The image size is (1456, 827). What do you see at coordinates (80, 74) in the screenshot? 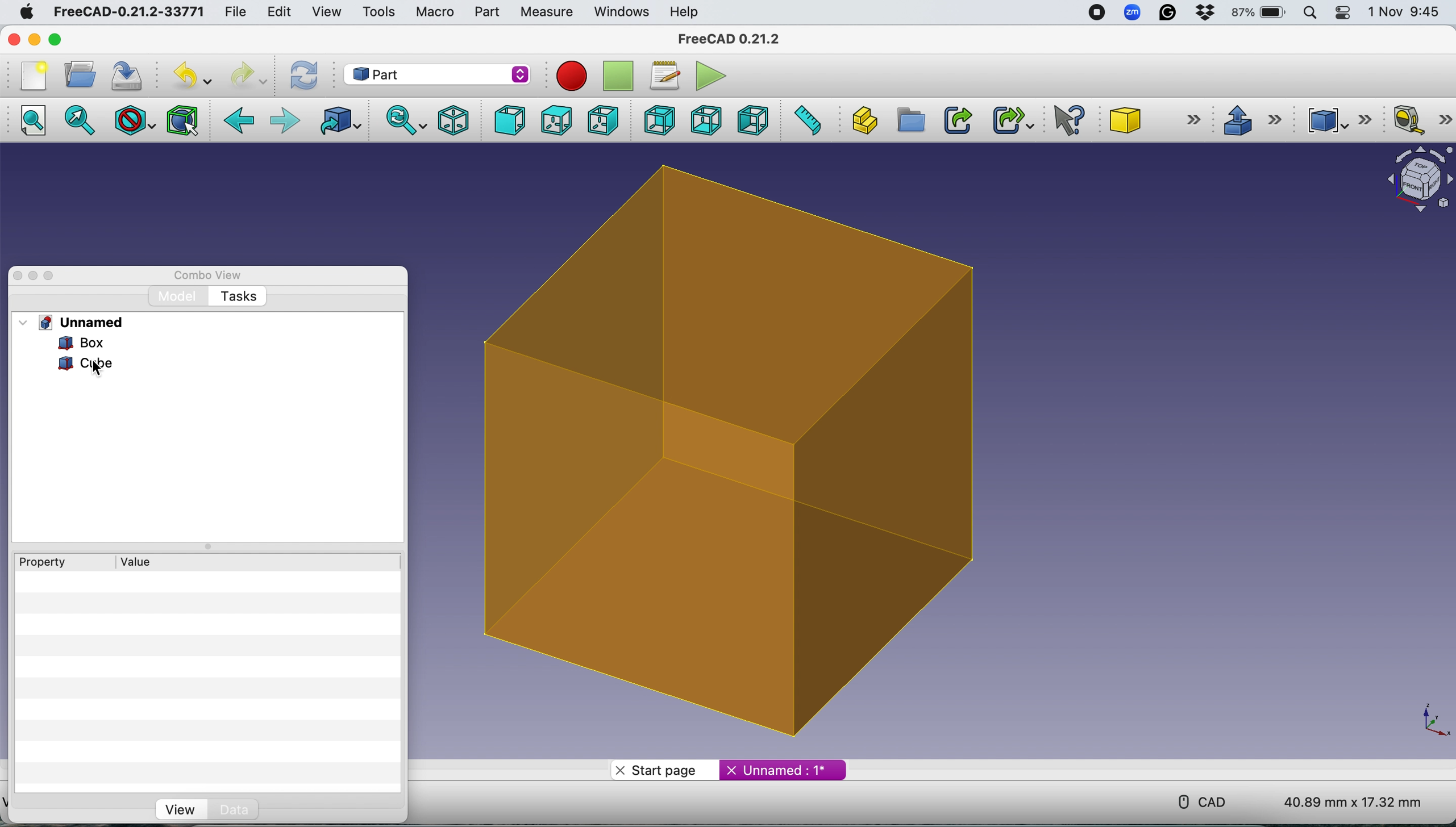
I see `Open` at bounding box center [80, 74].